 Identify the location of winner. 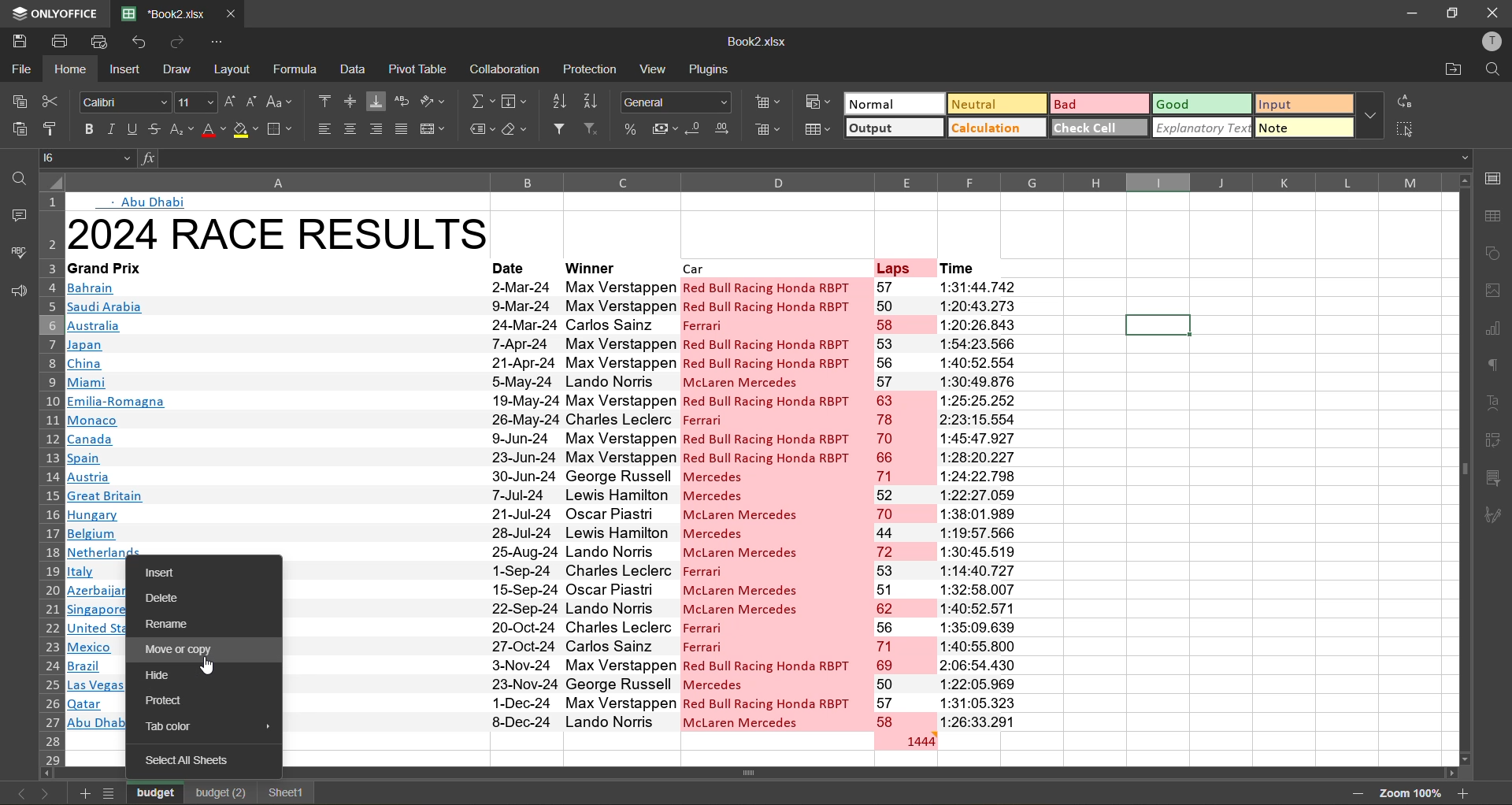
(612, 266).